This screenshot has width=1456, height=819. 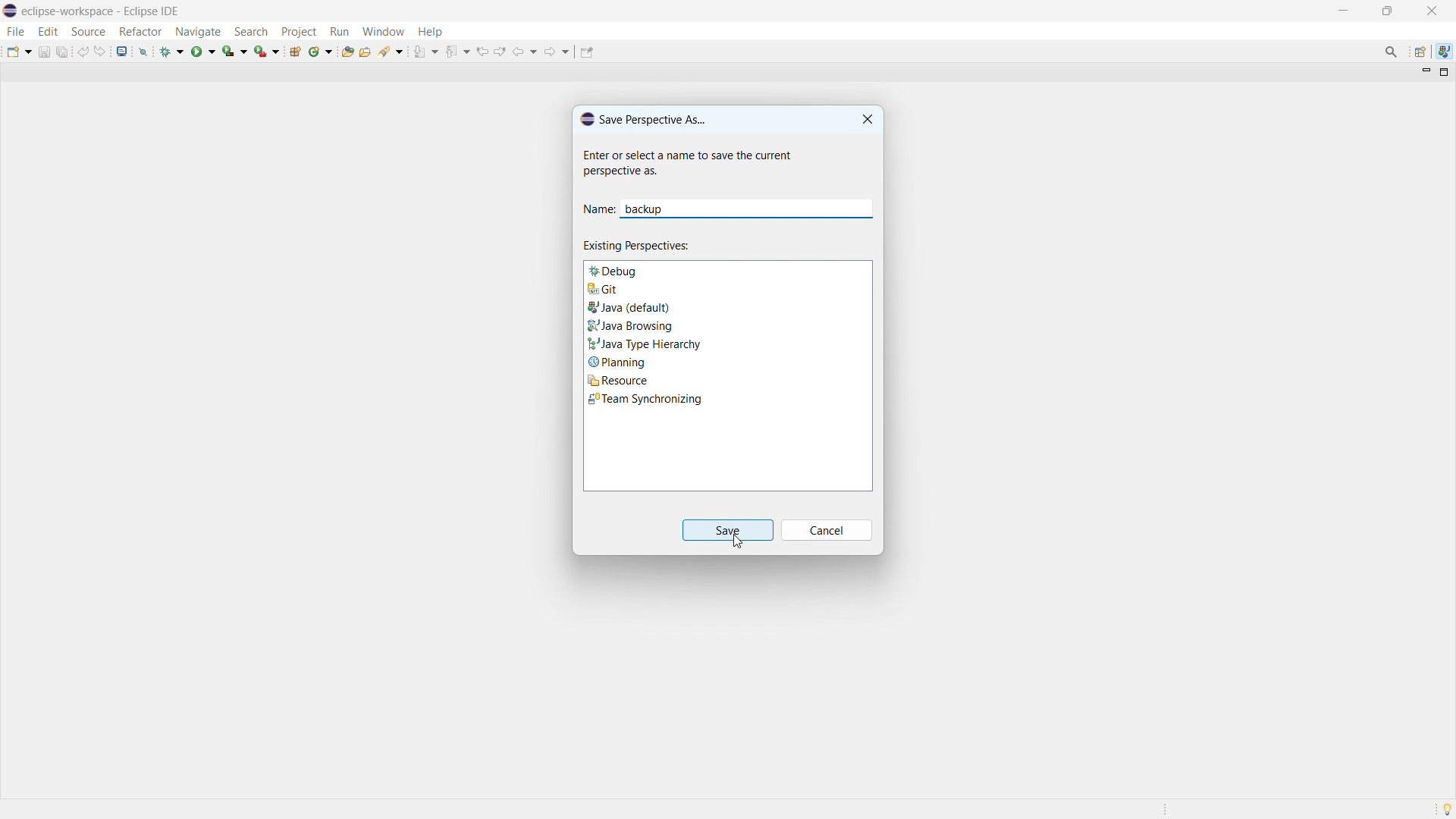 I want to click on search, so click(x=251, y=31).